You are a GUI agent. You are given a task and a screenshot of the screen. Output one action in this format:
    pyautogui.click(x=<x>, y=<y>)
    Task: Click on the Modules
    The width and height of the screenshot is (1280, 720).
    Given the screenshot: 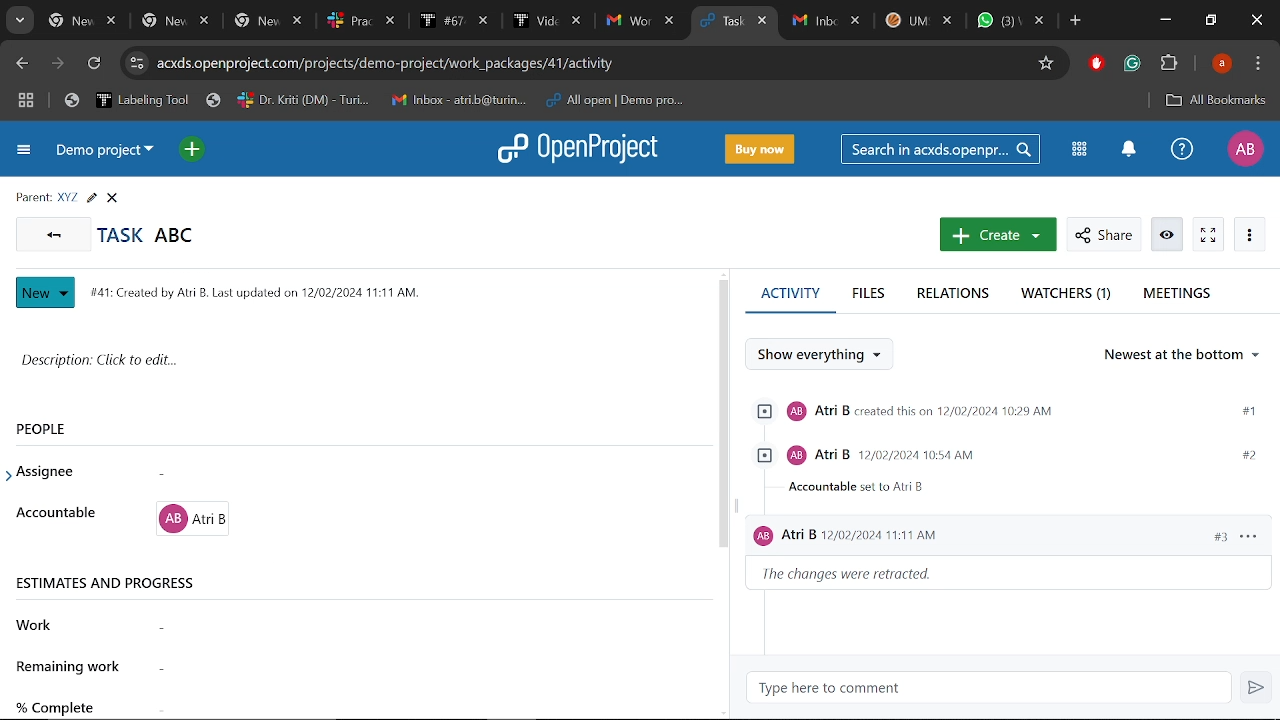 What is the action you would take?
    pyautogui.click(x=1076, y=148)
    